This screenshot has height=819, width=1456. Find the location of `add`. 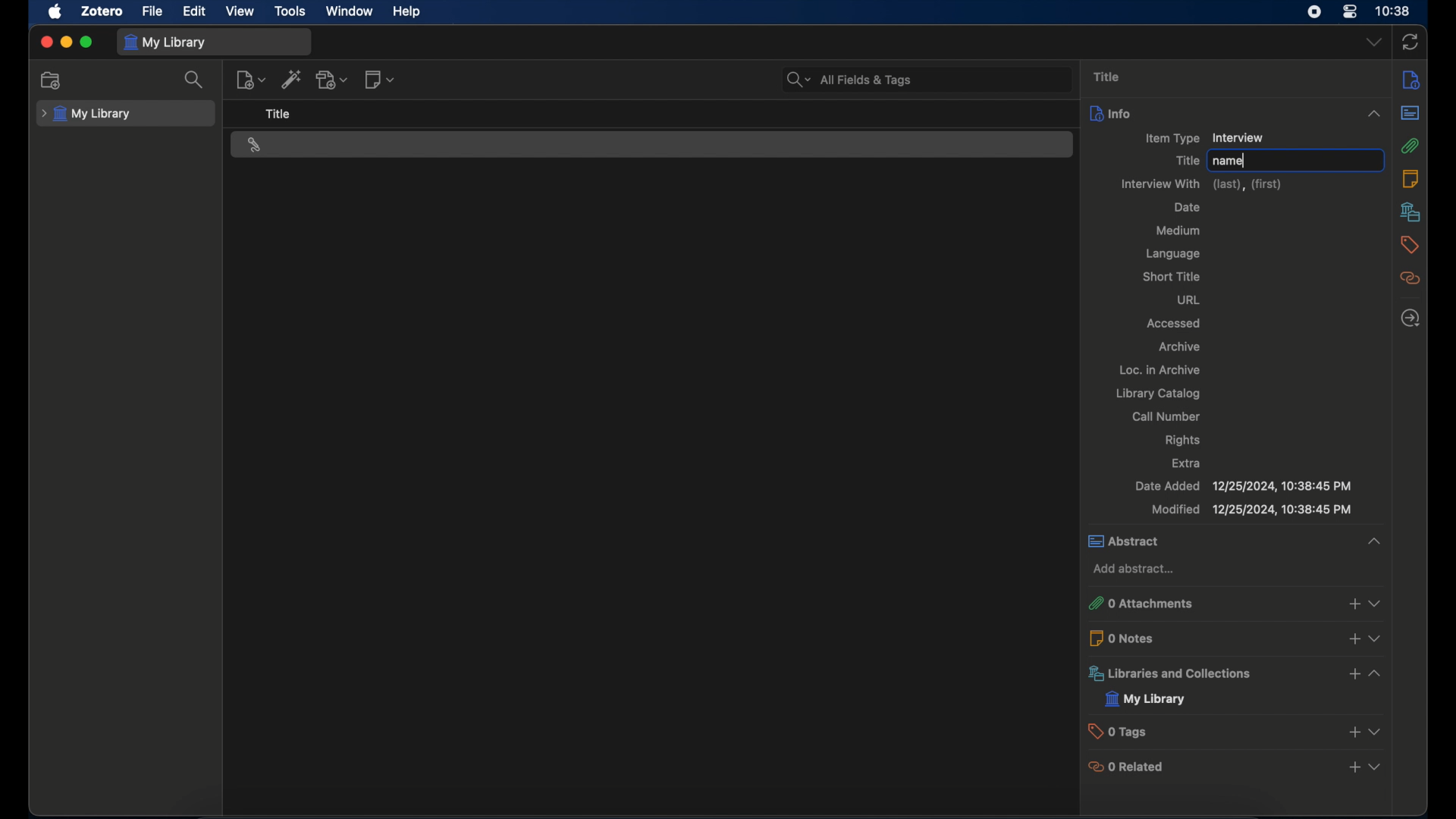

add is located at coordinates (1353, 673).